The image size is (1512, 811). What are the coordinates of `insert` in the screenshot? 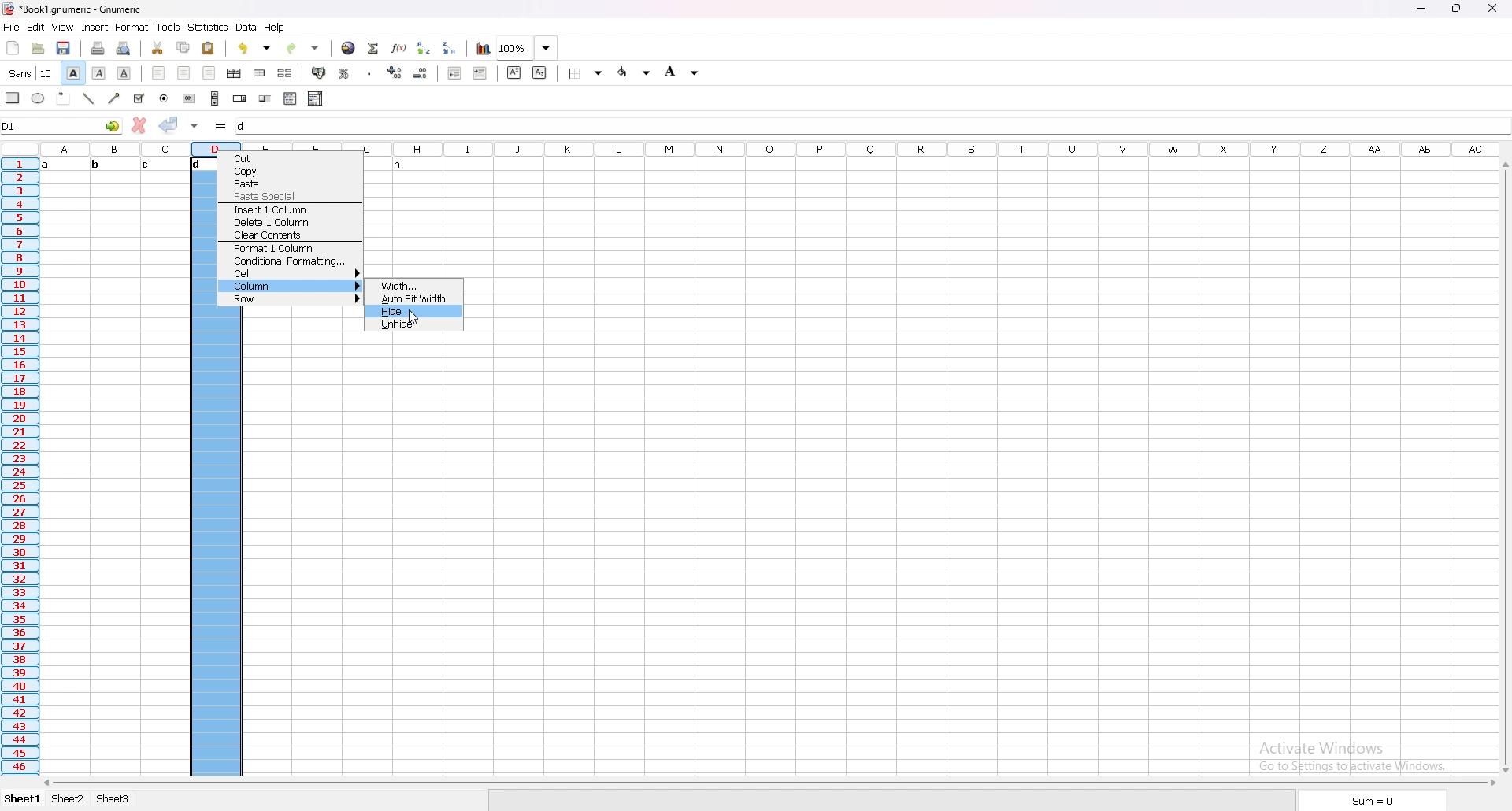 It's located at (95, 27).